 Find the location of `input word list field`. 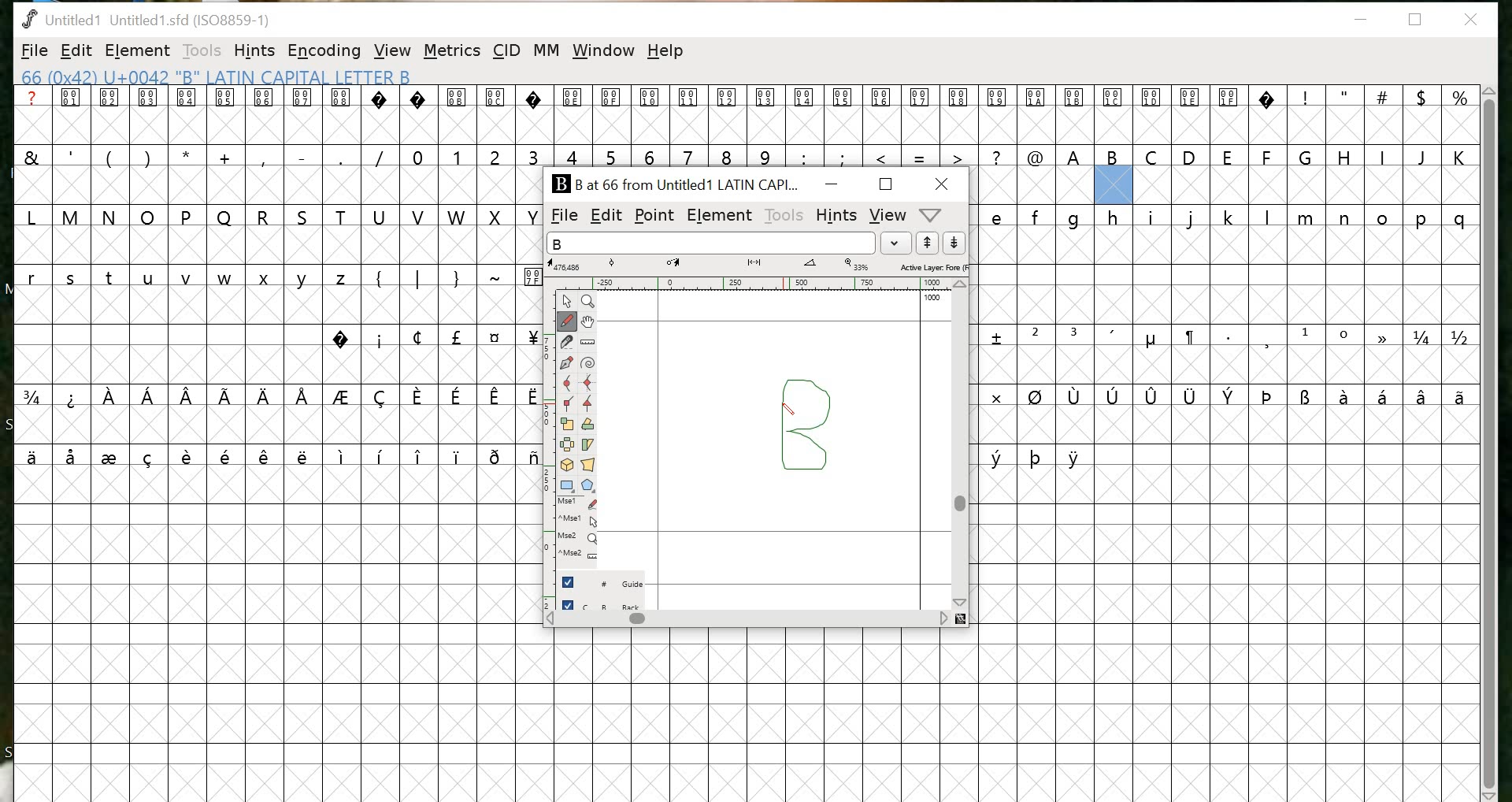

input word list field is located at coordinates (710, 243).